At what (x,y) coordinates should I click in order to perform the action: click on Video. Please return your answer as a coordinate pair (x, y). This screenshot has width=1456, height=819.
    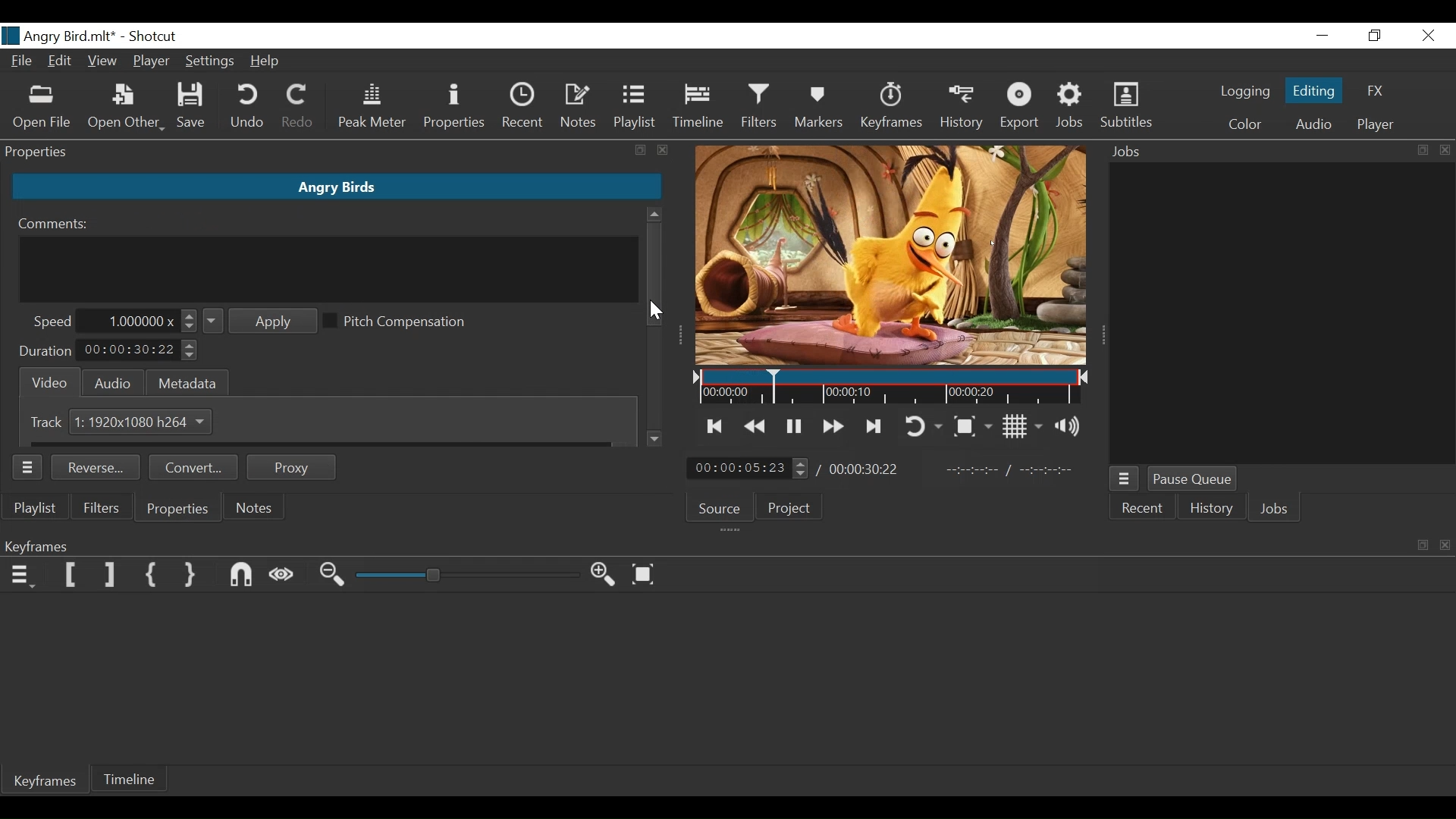
    Looking at the image, I should click on (47, 378).